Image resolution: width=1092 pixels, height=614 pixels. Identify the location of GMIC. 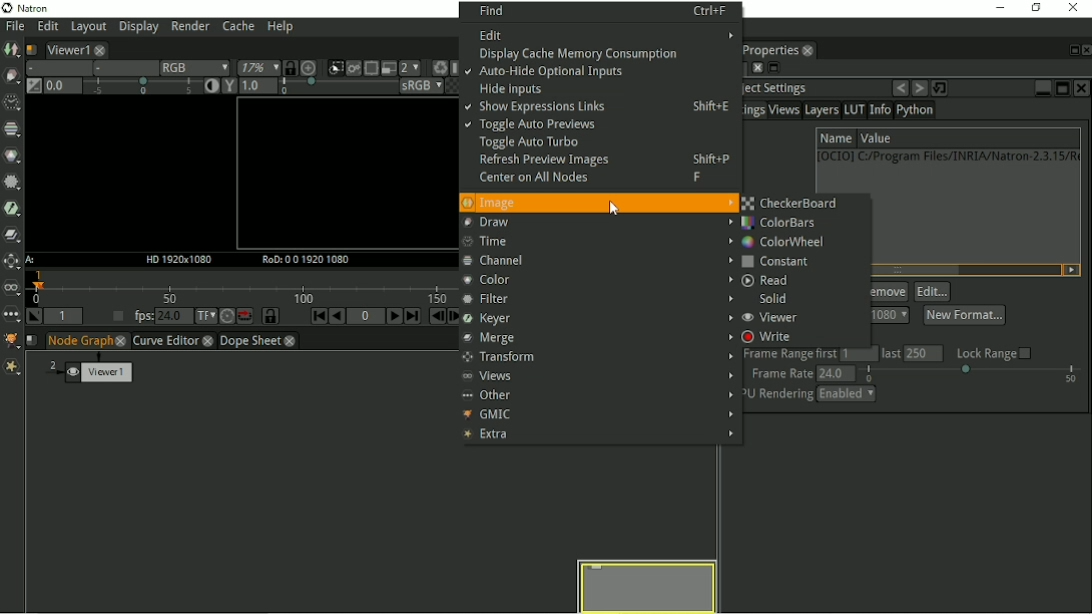
(599, 414).